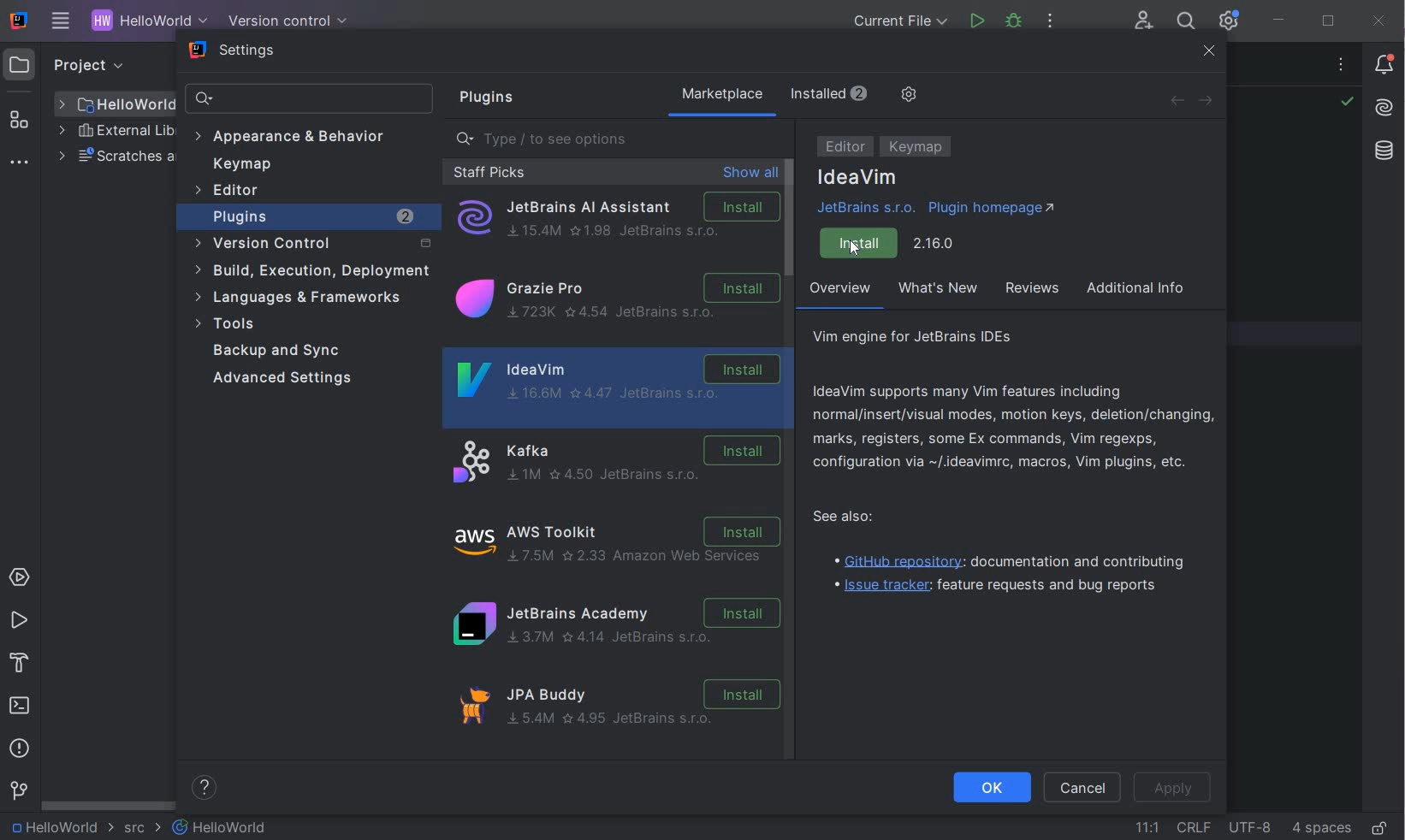 The height and width of the screenshot is (840, 1405). I want to click on IdeaVim, so click(858, 178).